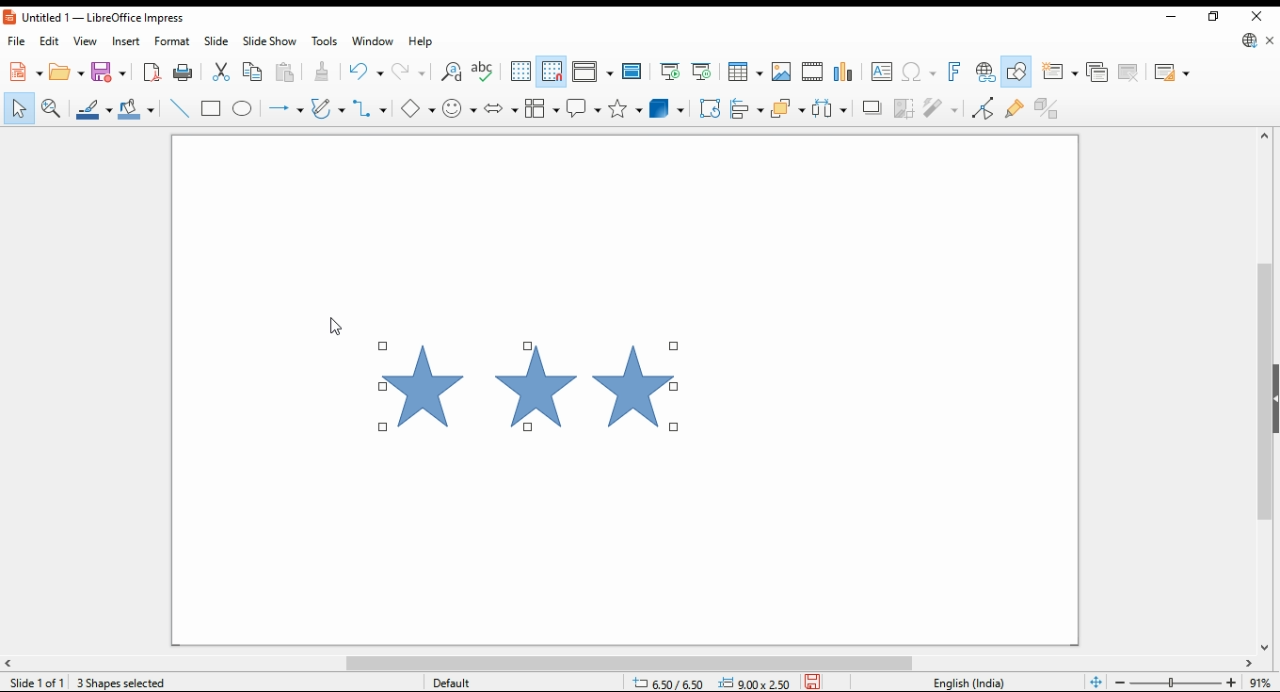 Image resolution: width=1280 pixels, height=692 pixels. I want to click on dimensions, so click(710, 681).